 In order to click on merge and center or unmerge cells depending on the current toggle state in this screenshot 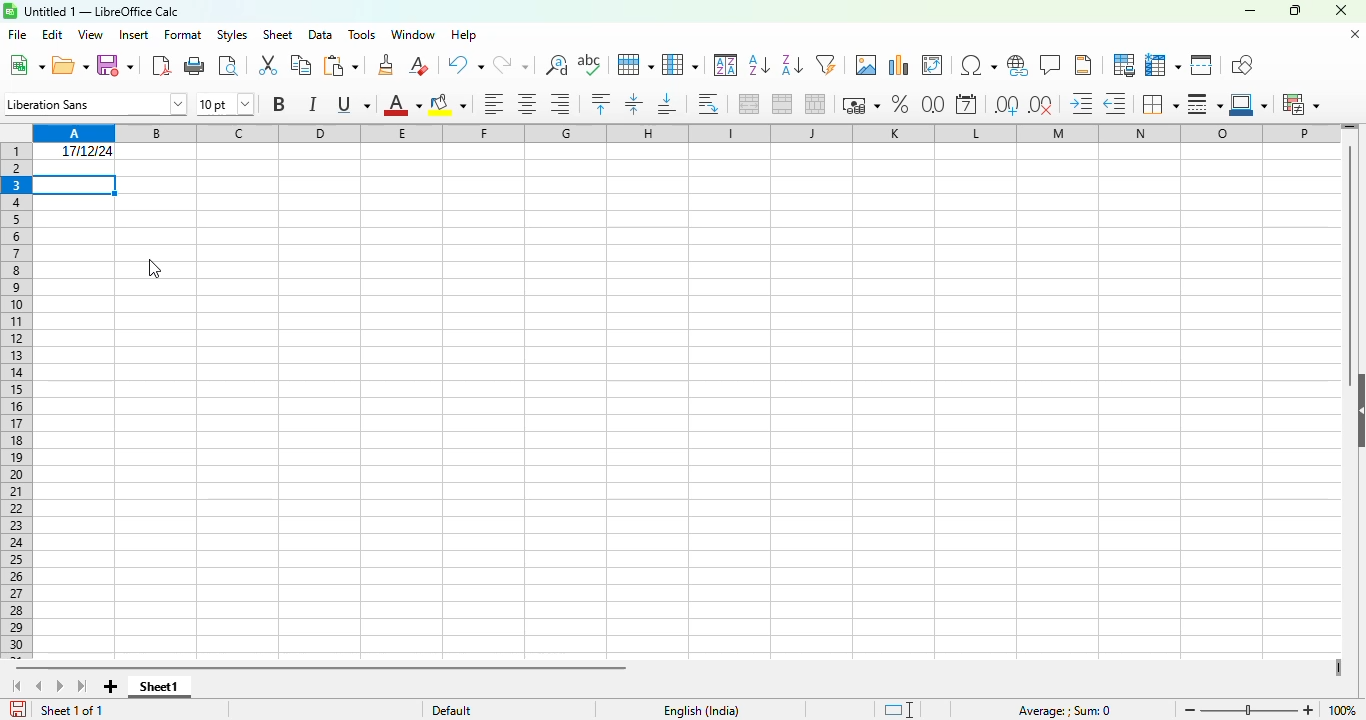, I will do `click(750, 104)`.